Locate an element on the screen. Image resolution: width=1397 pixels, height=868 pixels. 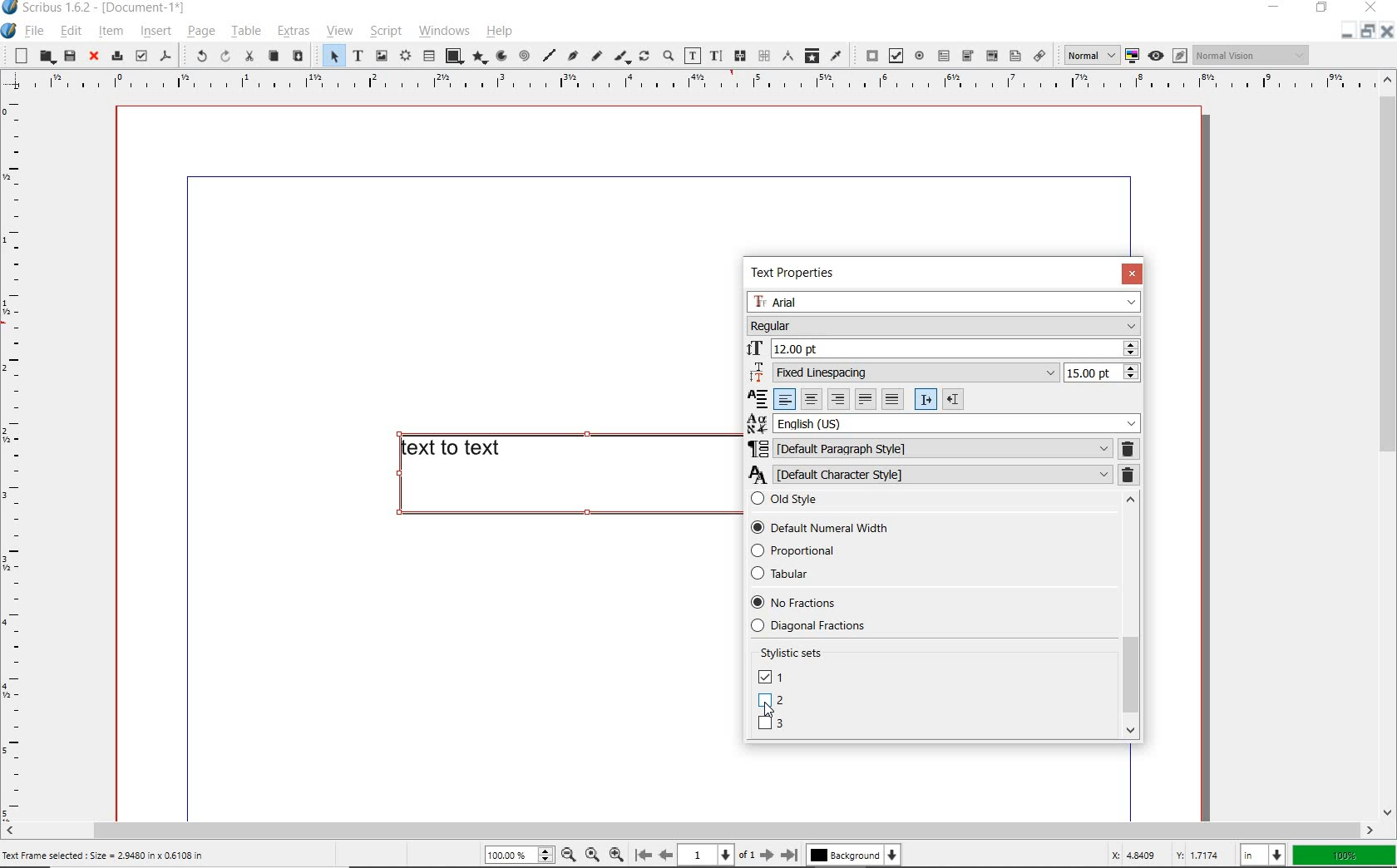
Tabular is located at coordinates (802, 574).